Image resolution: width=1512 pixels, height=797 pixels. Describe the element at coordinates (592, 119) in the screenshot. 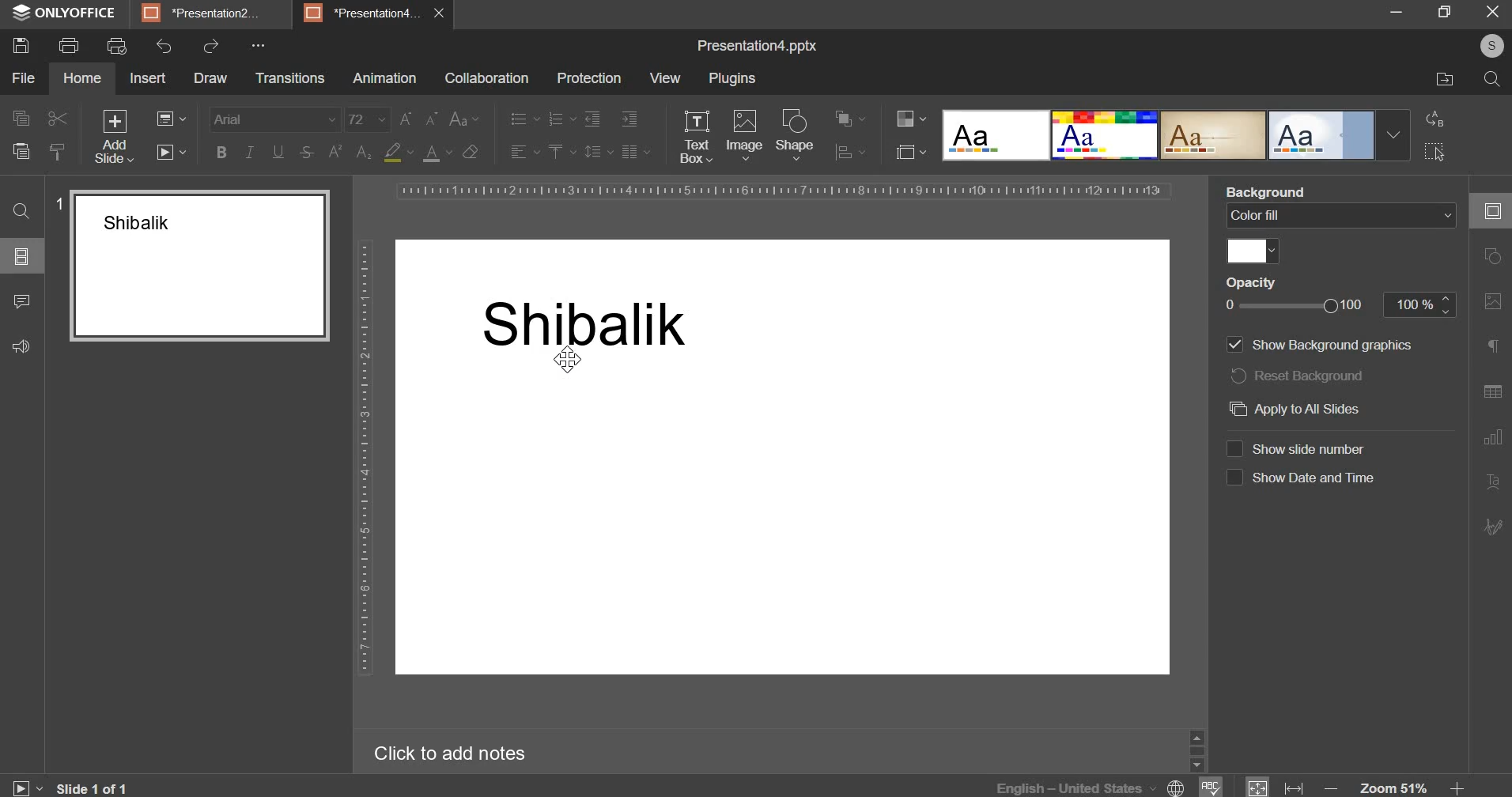

I see `decrease indent` at that location.